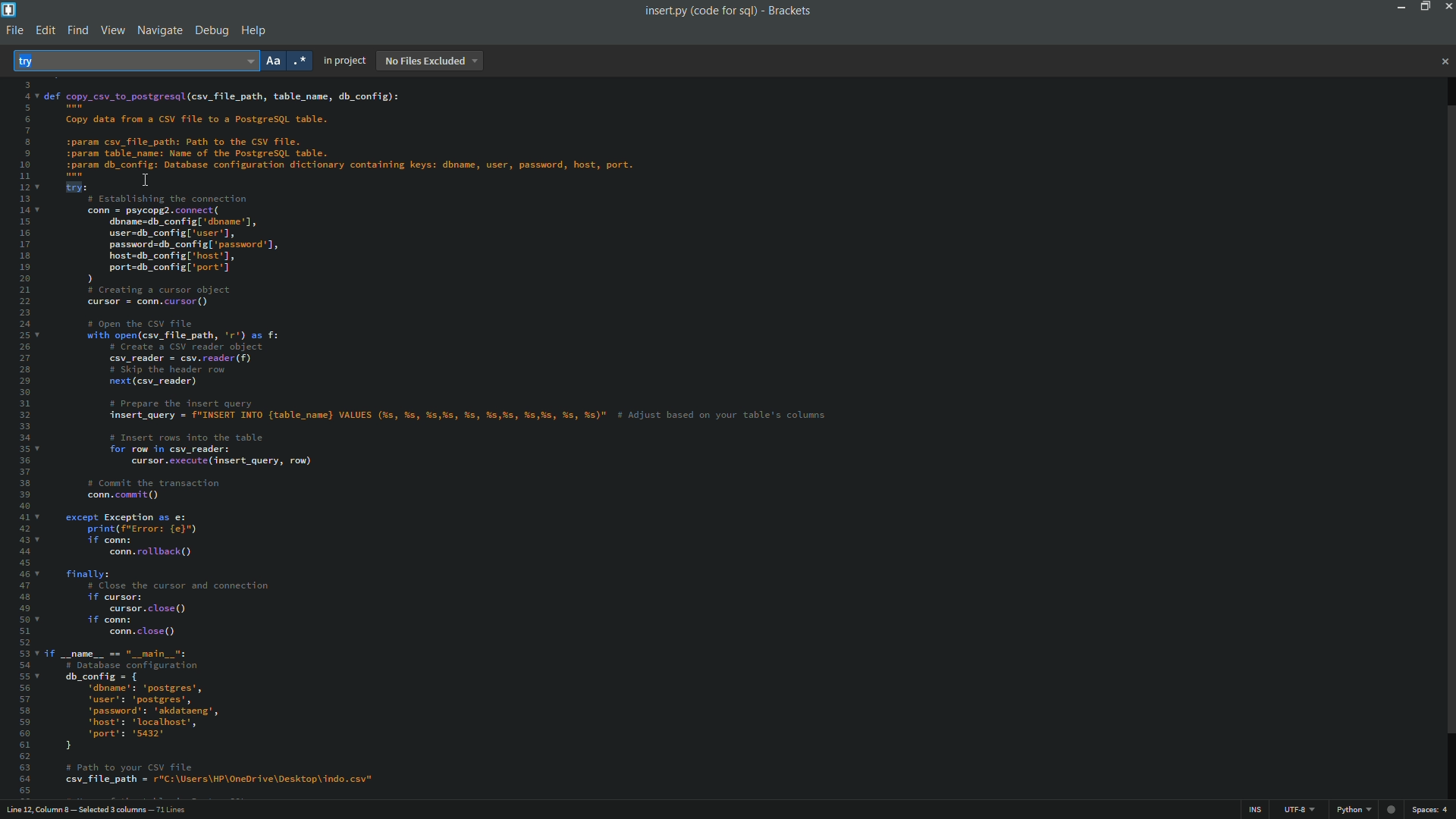 This screenshot has height=819, width=1456. What do you see at coordinates (429, 61) in the screenshot?
I see `no file excluded` at bounding box center [429, 61].